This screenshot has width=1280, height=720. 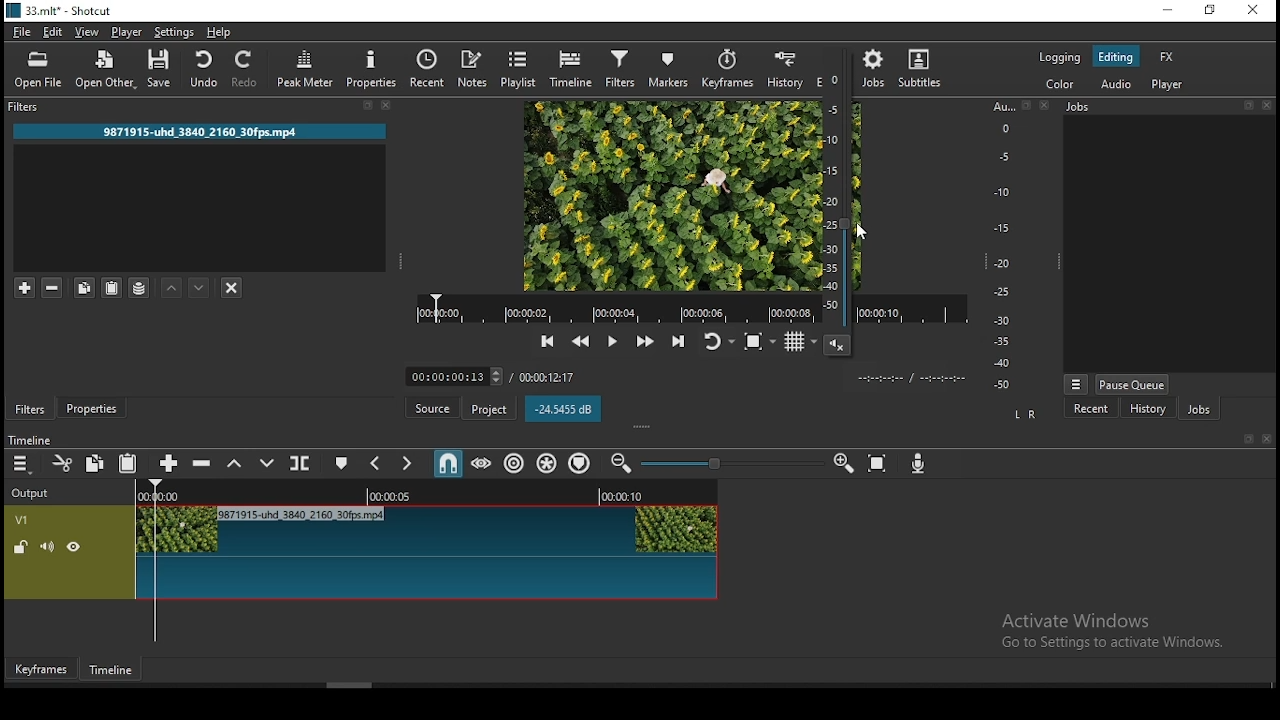 What do you see at coordinates (39, 72) in the screenshot?
I see `open file` at bounding box center [39, 72].